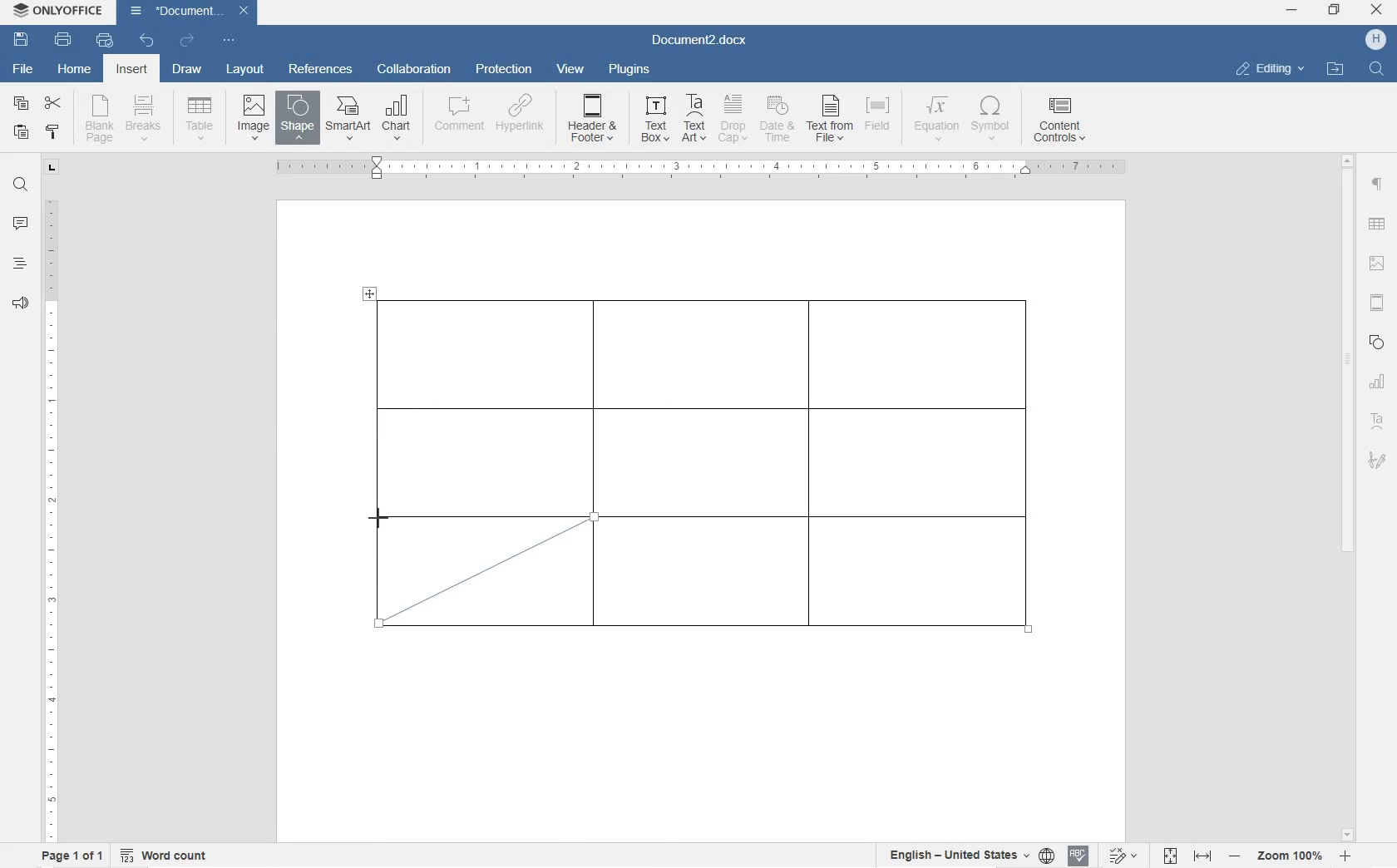  What do you see at coordinates (692, 120) in the screenshot?
I see `TEXT ART` at bounding box center [692, 120].